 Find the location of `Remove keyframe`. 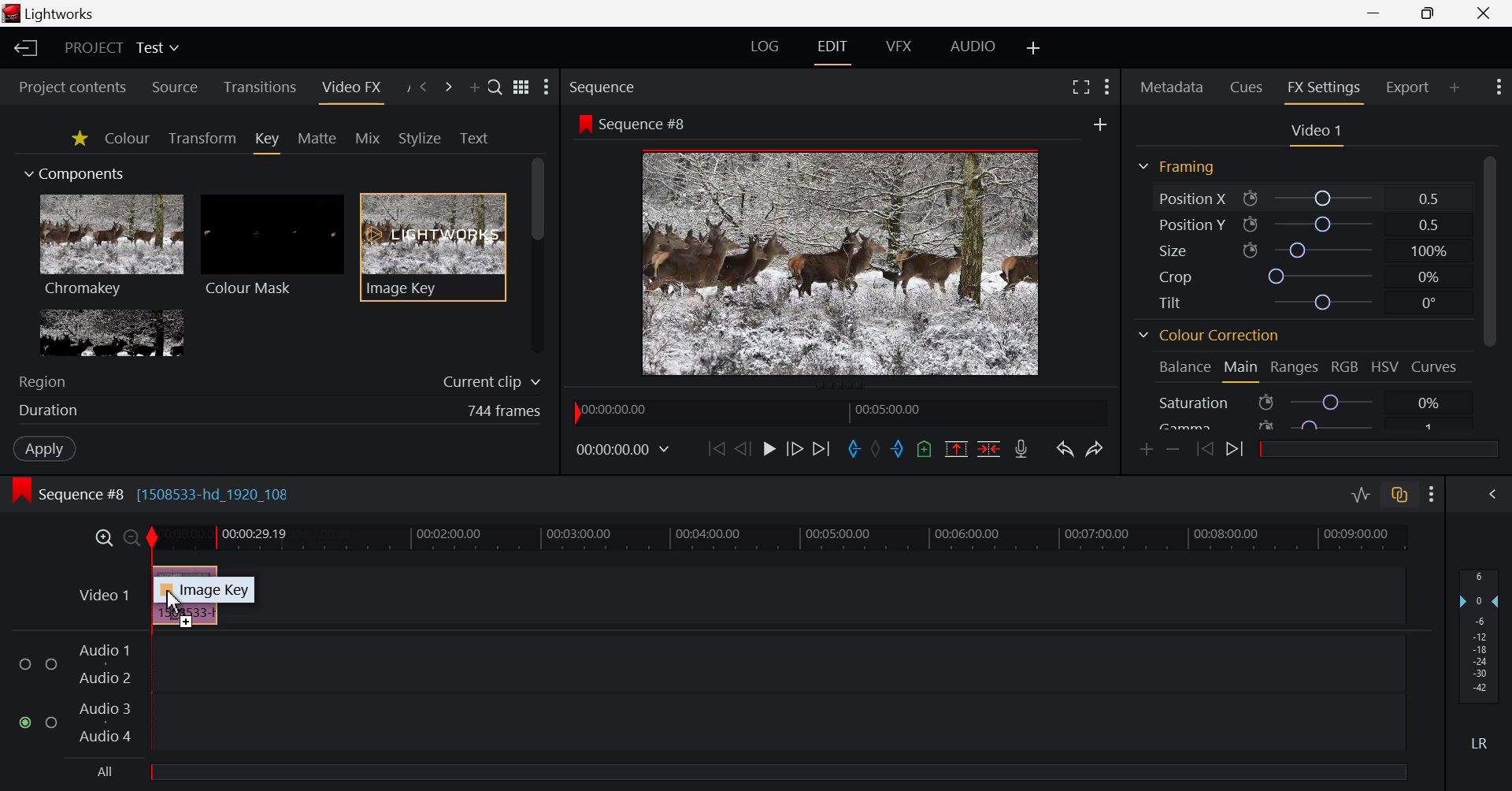

Remove keyframe is located at coordinates (1176, 448).